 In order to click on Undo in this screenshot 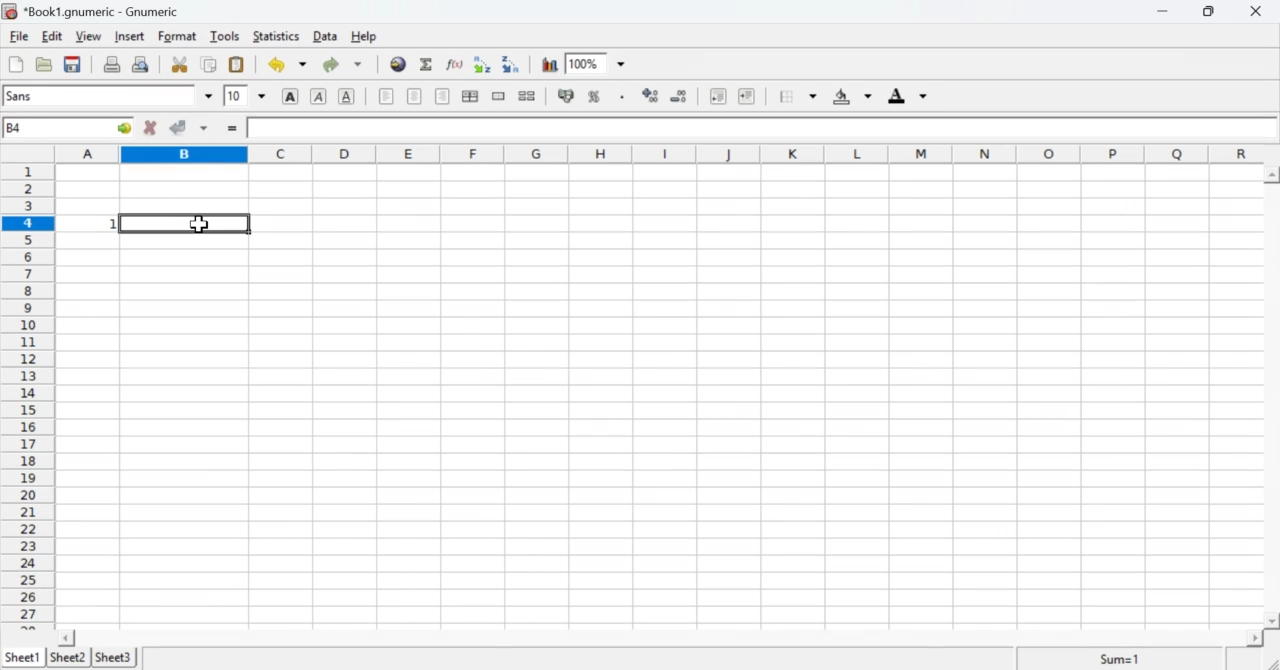, I will do `click(289, 64)`.